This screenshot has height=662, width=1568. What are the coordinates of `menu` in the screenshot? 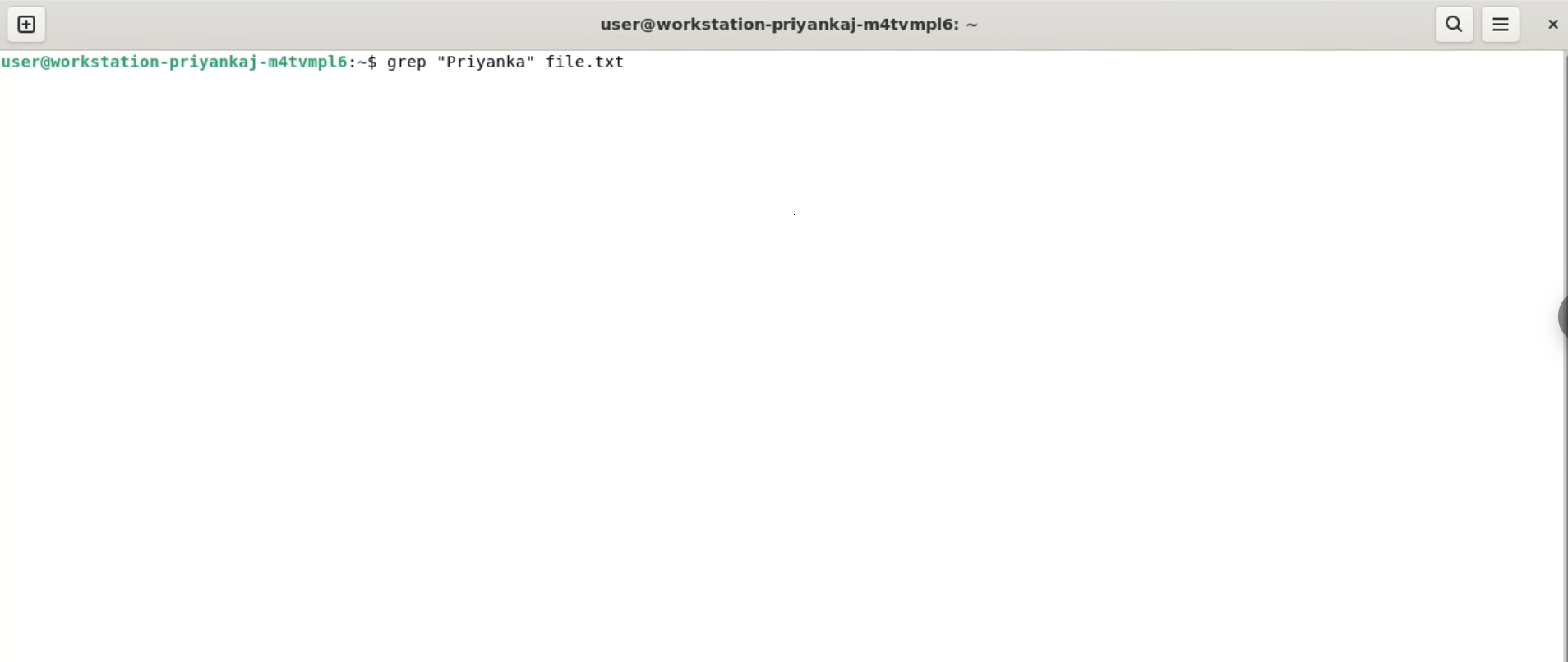 It's located at (1502, 25).